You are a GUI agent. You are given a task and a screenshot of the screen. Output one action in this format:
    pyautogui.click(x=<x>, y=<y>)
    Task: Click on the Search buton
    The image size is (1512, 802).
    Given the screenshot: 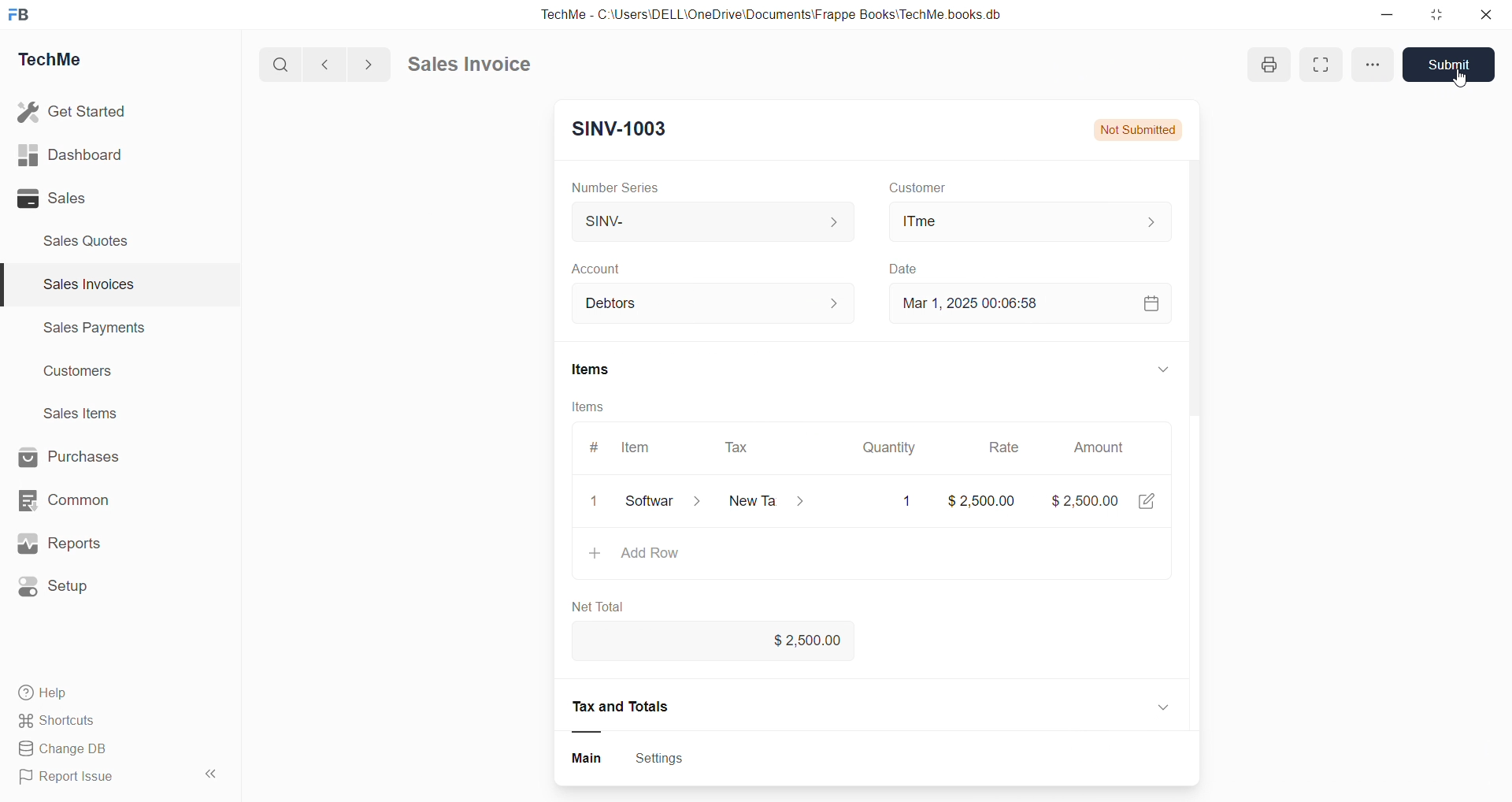 What is the action you would take?
    pyautogui.click(x=283, y=65)
    